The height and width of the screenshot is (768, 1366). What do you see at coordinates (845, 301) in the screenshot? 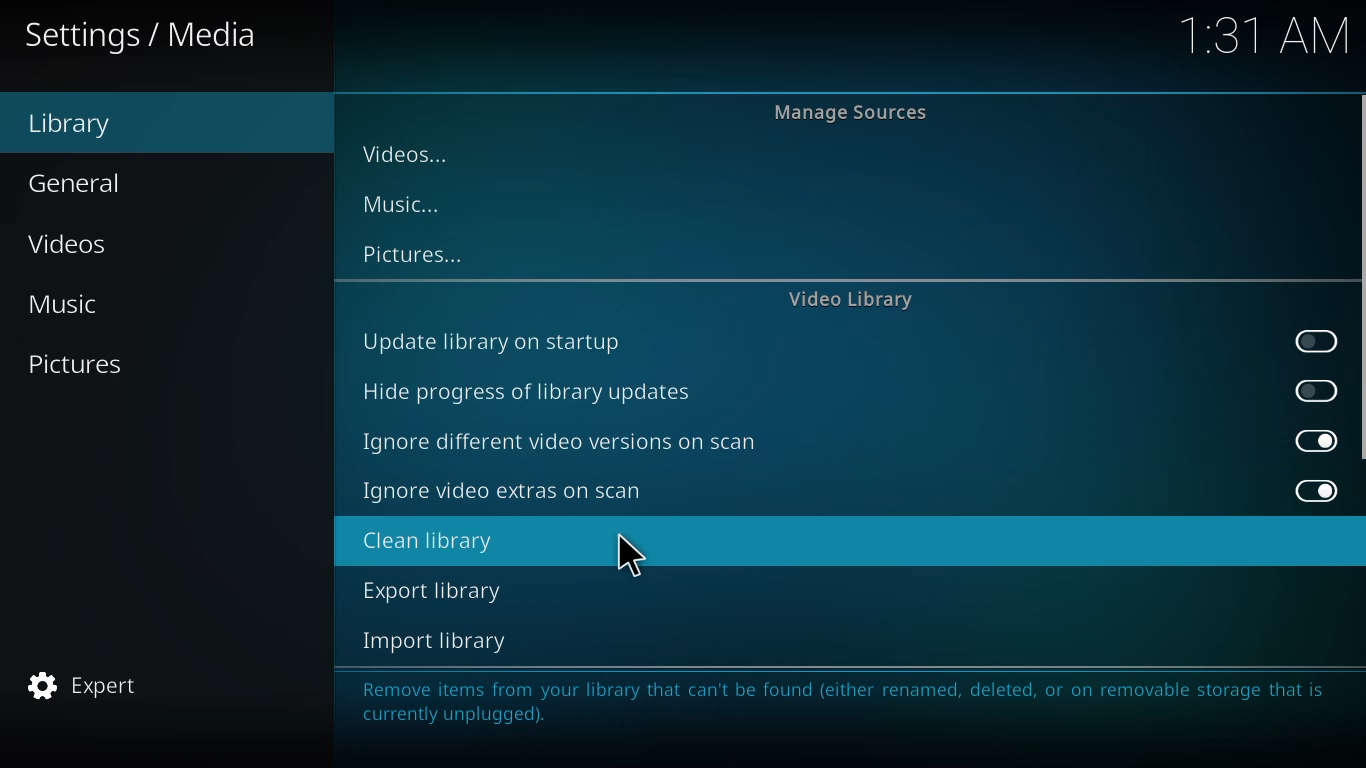
I see `video library` at bounding box center [845, 301].